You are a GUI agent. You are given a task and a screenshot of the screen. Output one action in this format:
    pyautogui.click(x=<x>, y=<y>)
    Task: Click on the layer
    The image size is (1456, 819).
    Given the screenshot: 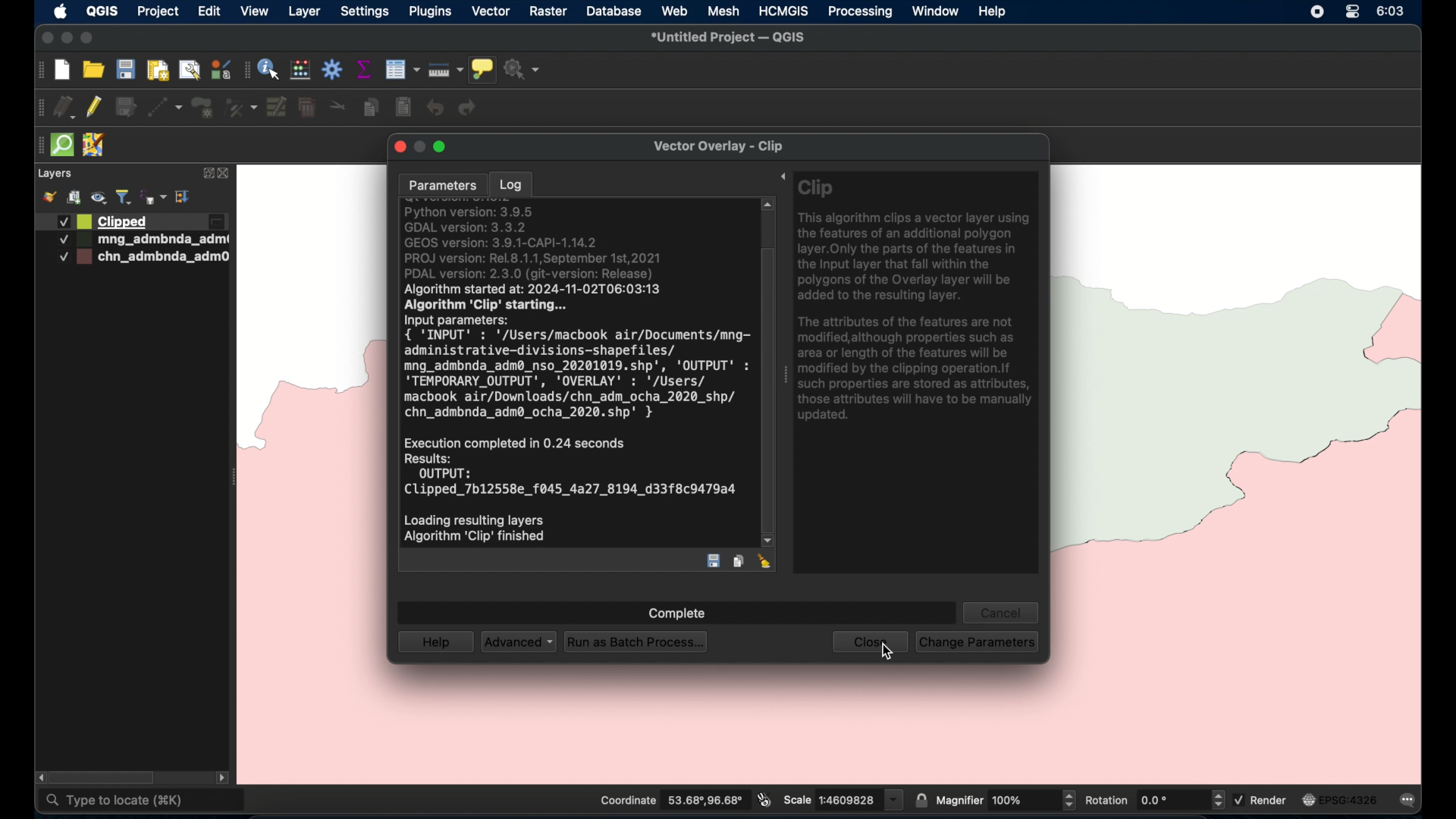 What is the action you would take?
    pyautogui.click(x=304, y=13)
    